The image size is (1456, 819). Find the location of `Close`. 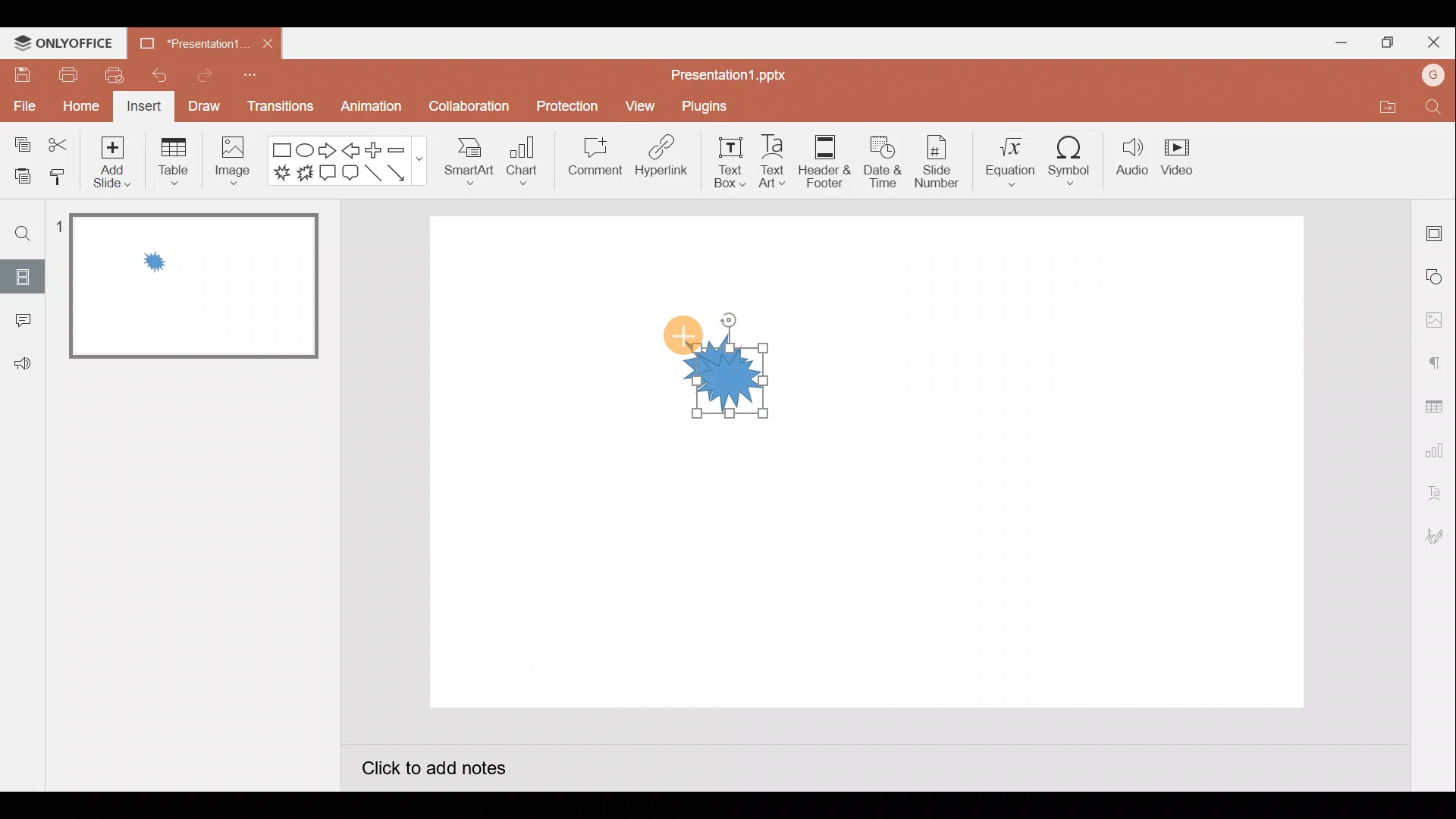

Close is located at coordinates (1433, 37).